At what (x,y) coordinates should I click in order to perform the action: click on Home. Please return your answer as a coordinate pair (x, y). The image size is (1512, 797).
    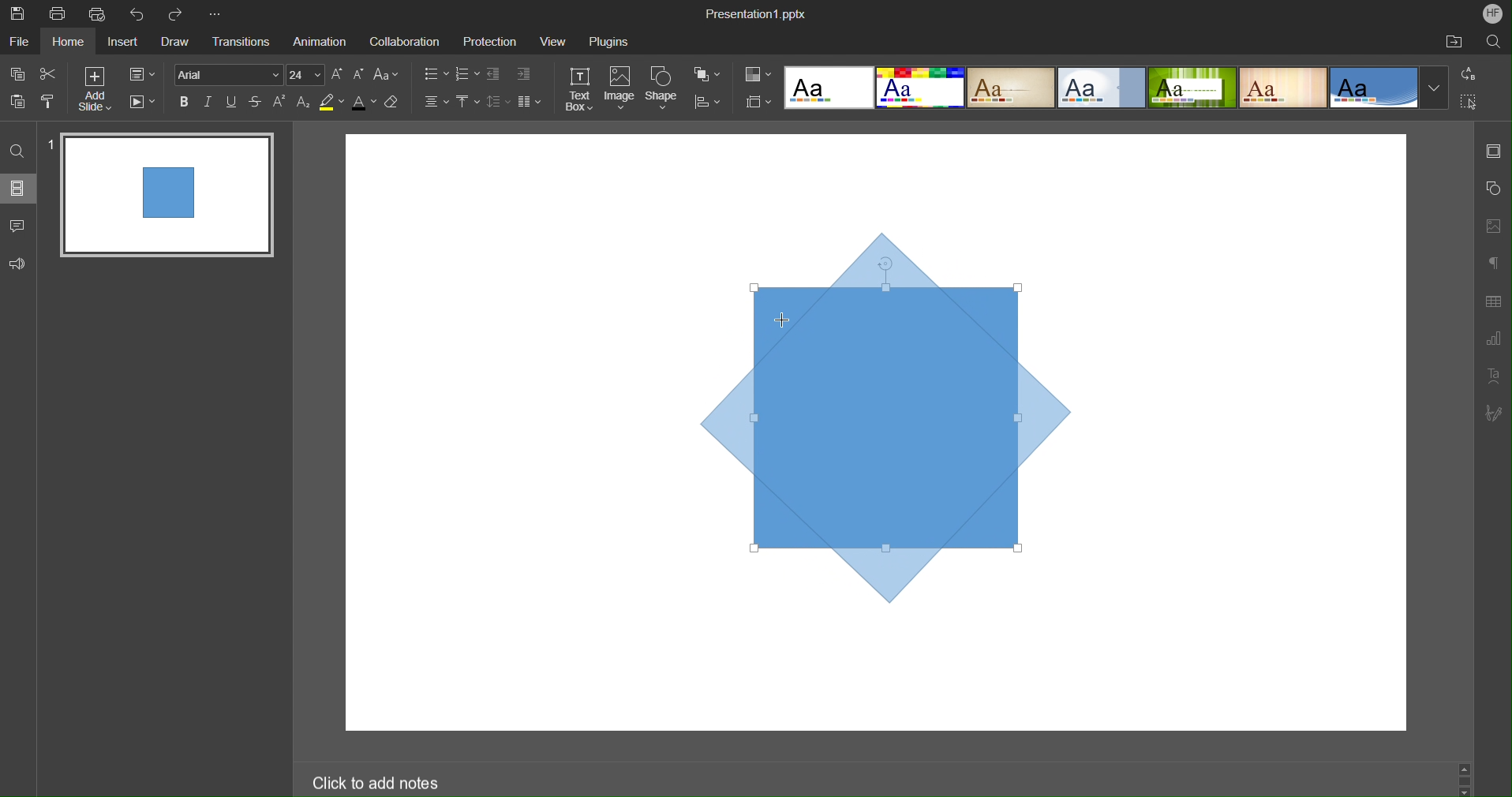
    Looking at the image, I should click on (69, 41).